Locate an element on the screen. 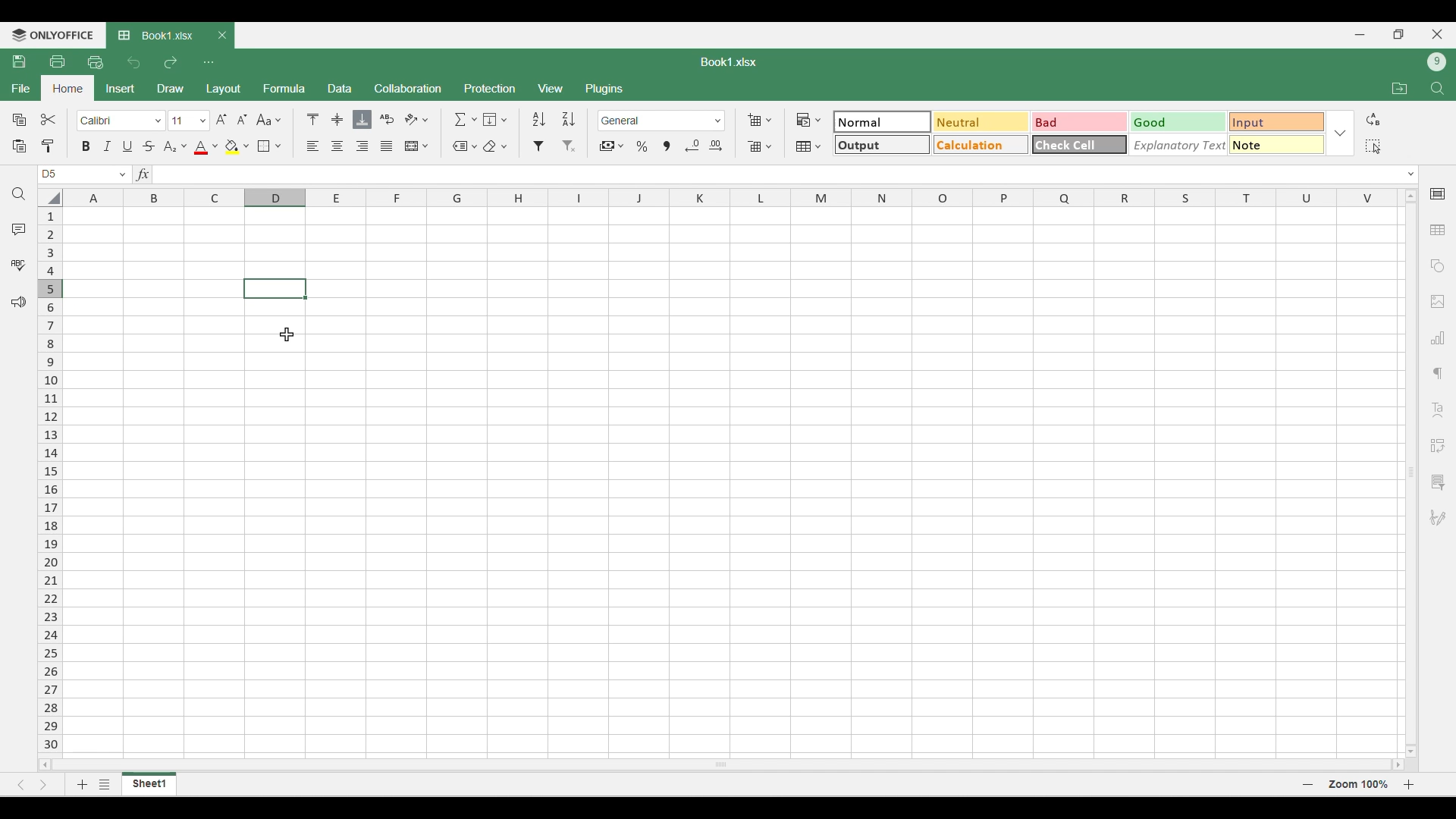  Copy formatting is located at coordinates (49, 146).